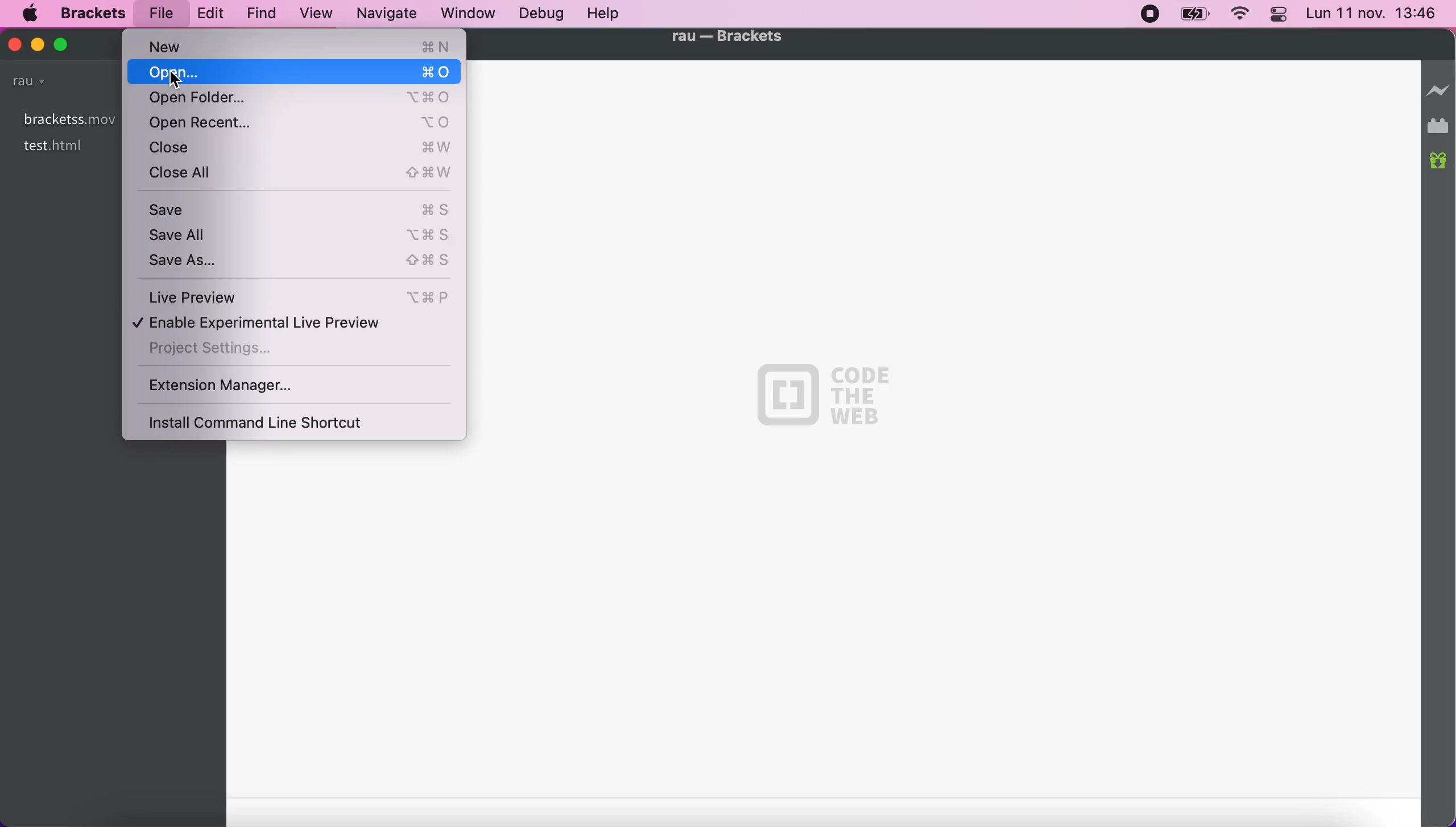  Describe the element at coordinates (1372, 15) in the screenshot. I see `time and date` at that location.